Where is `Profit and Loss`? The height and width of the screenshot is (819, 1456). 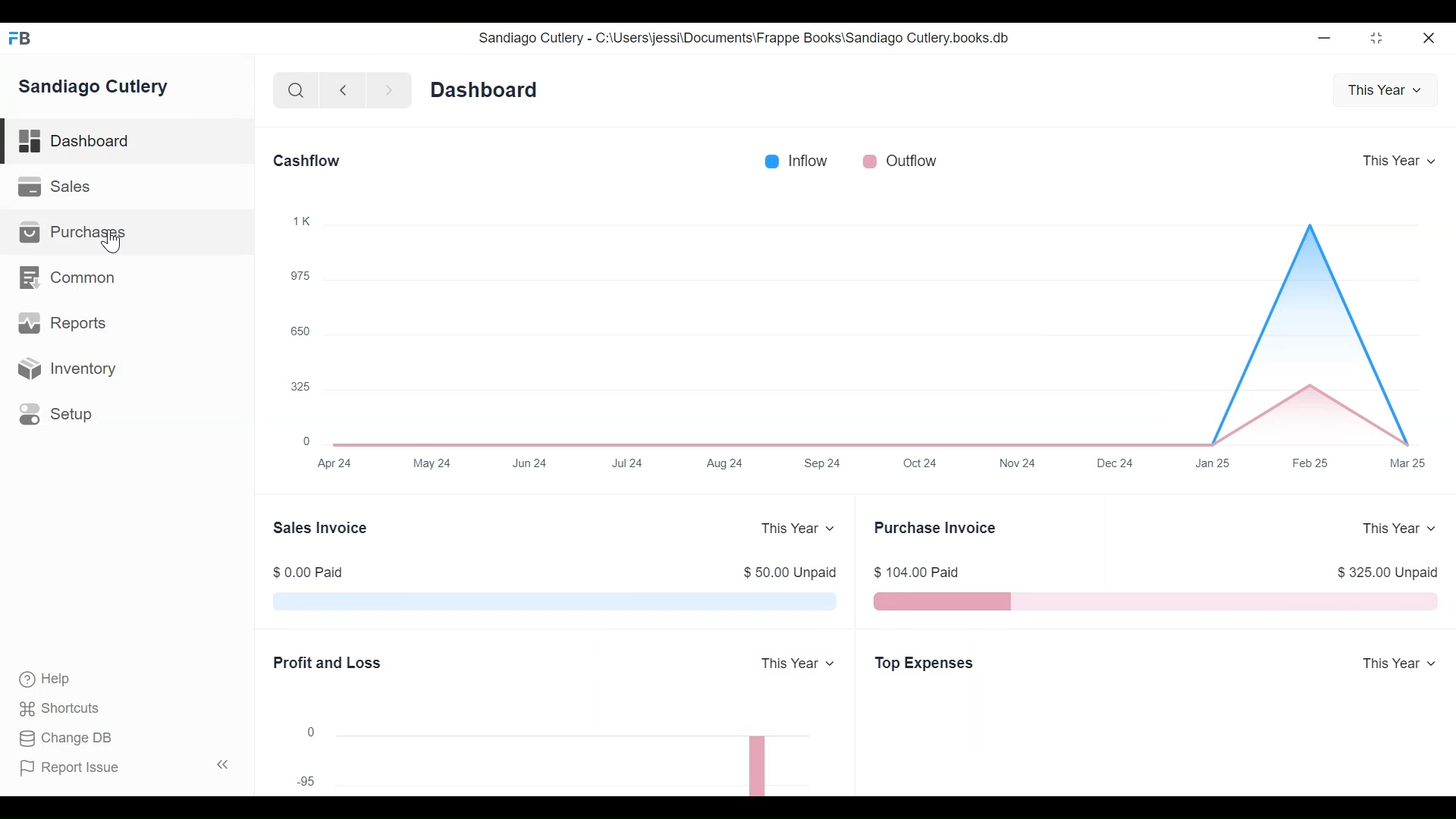
Profit and Loss is located at coordinates (327, 657).